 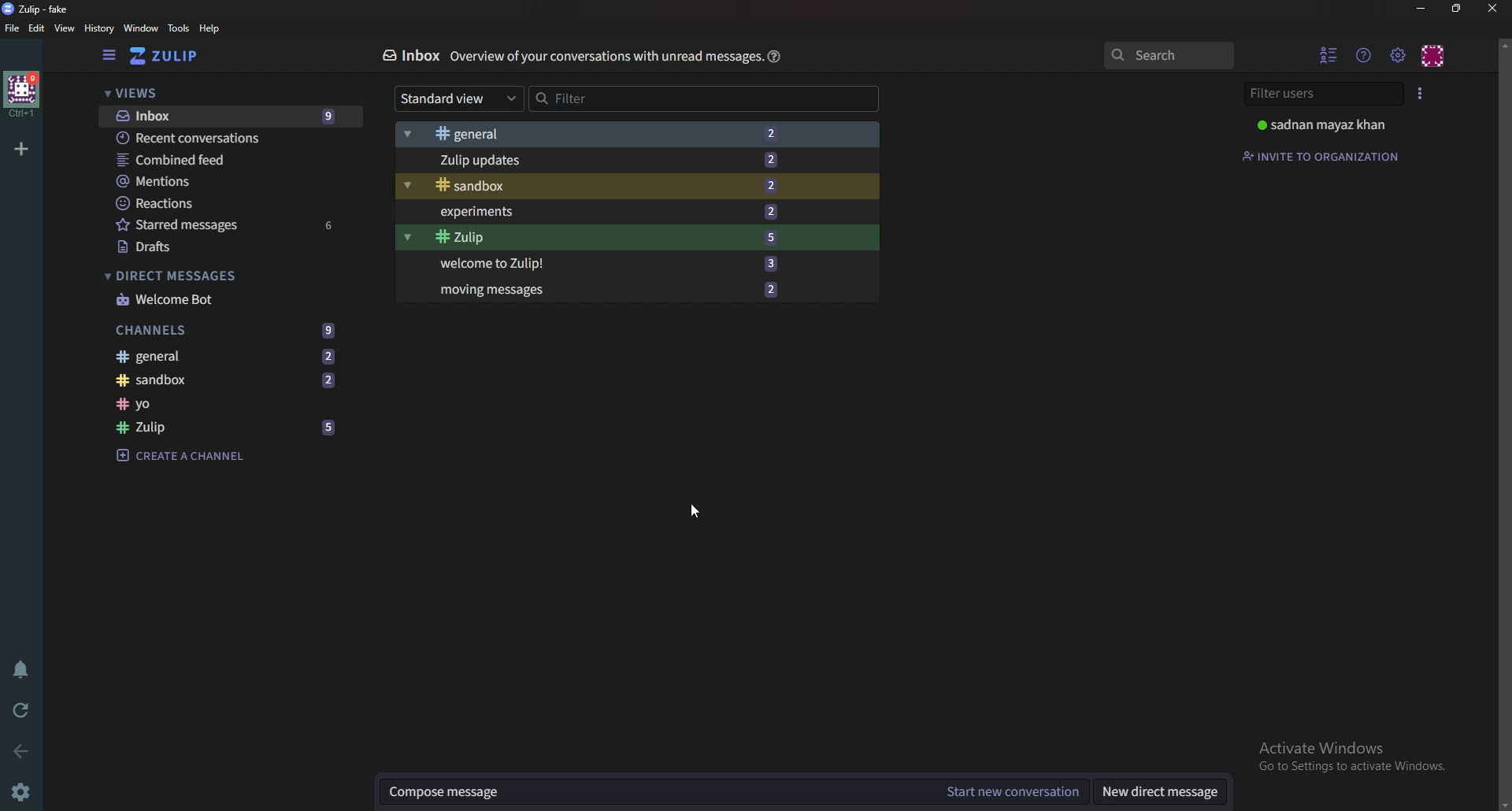 What do you see at coordinates (1418, 9) in the screenshot?
I see `Minimize` at bounding box center [1418, 9].